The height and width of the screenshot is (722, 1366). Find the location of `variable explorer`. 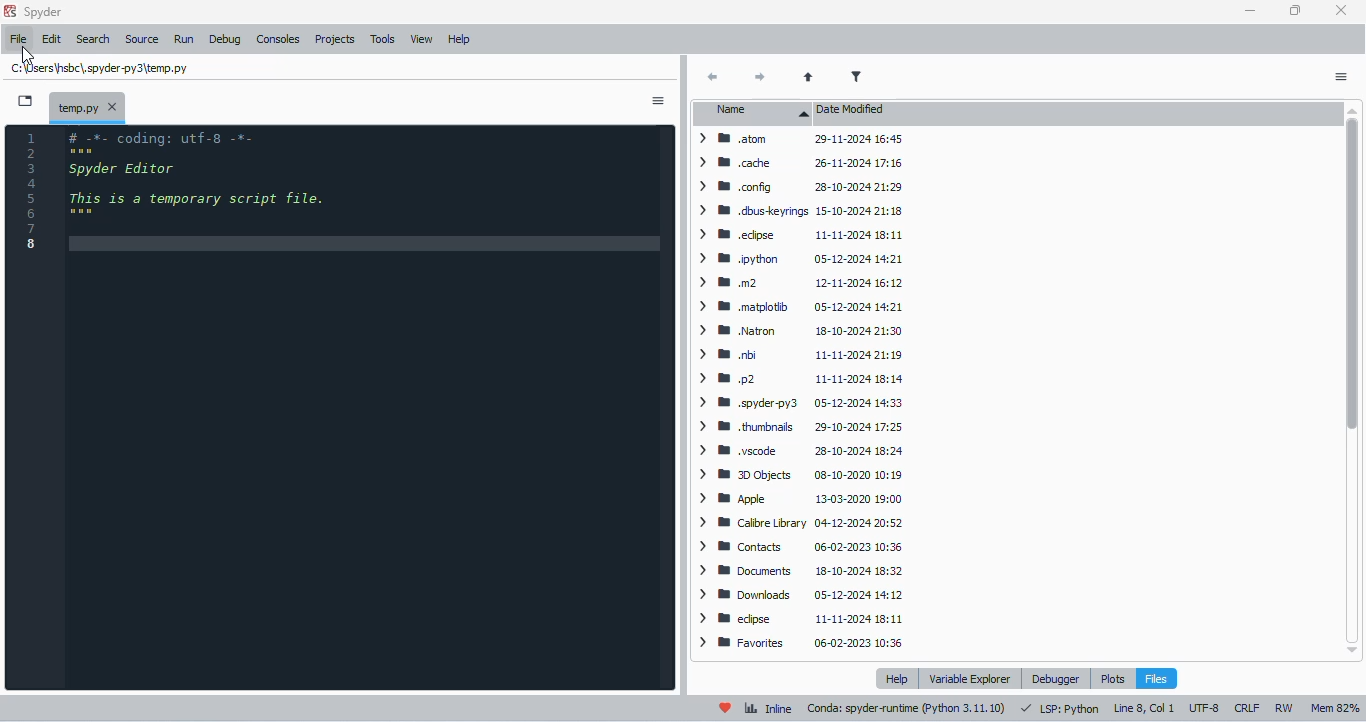

variable explorer is located at coordinates (972, 678).